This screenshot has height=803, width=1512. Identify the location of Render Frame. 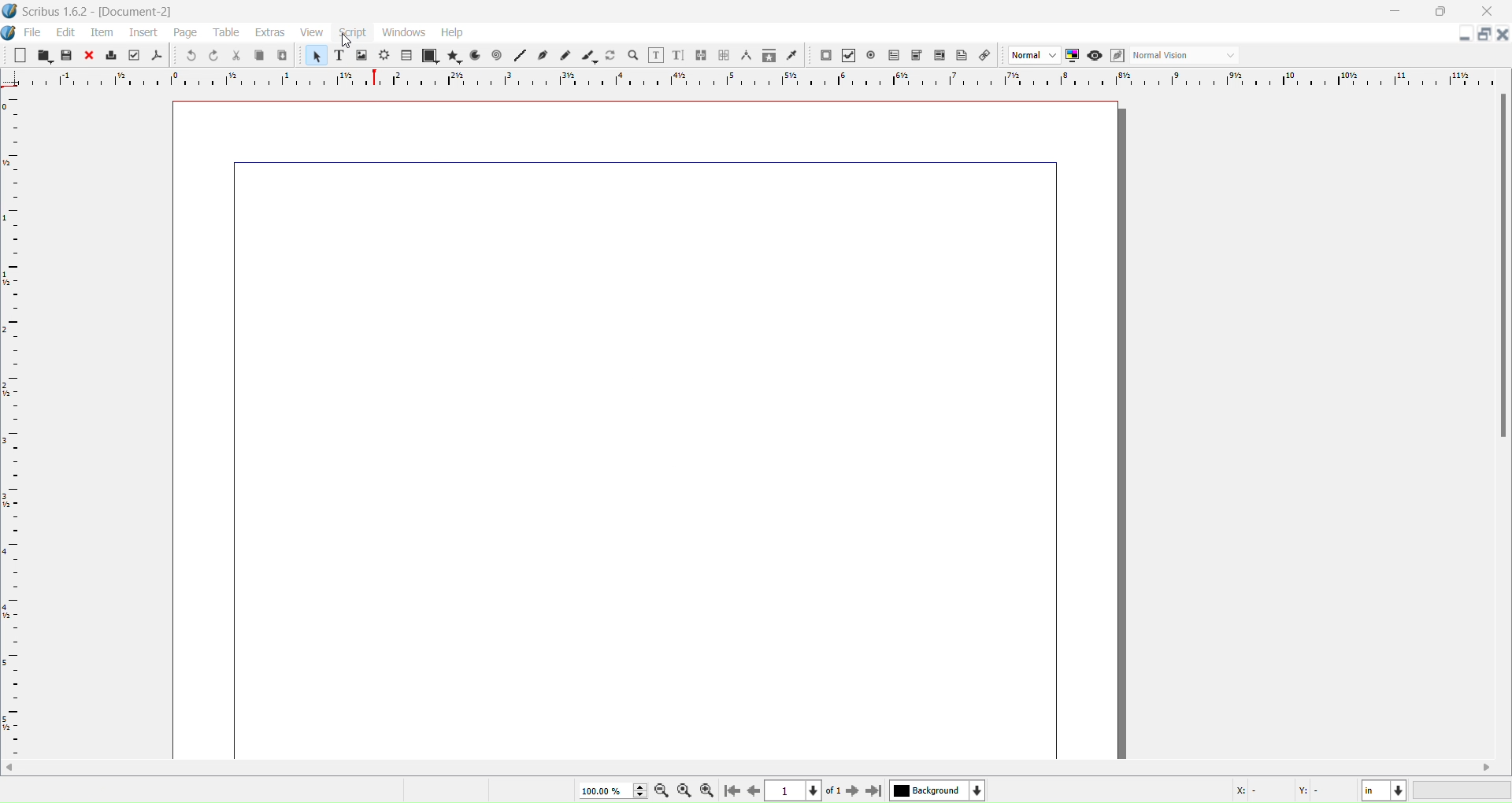
(384, 56).